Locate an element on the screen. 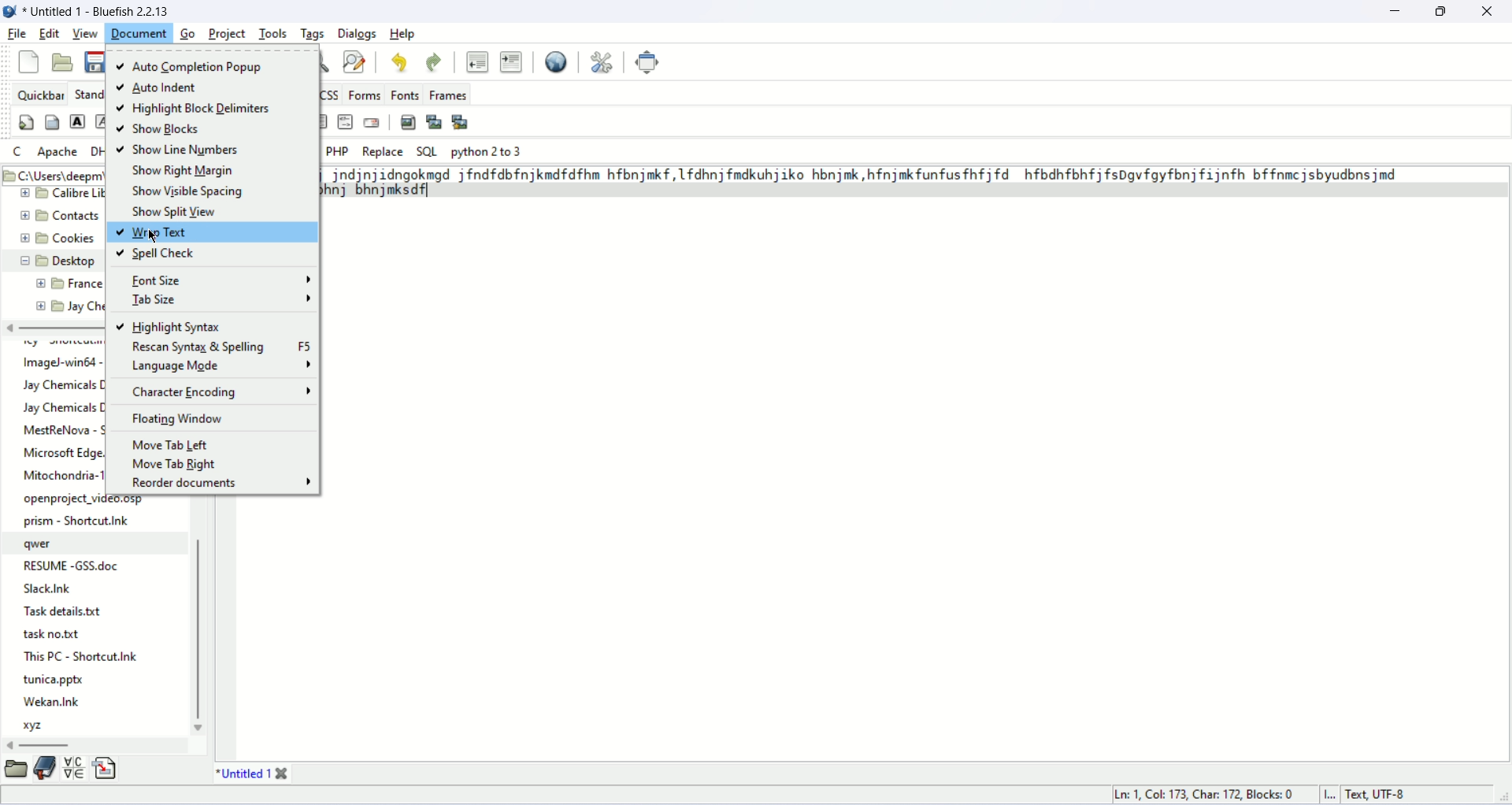  qwer is located at coordinates (45, 544).